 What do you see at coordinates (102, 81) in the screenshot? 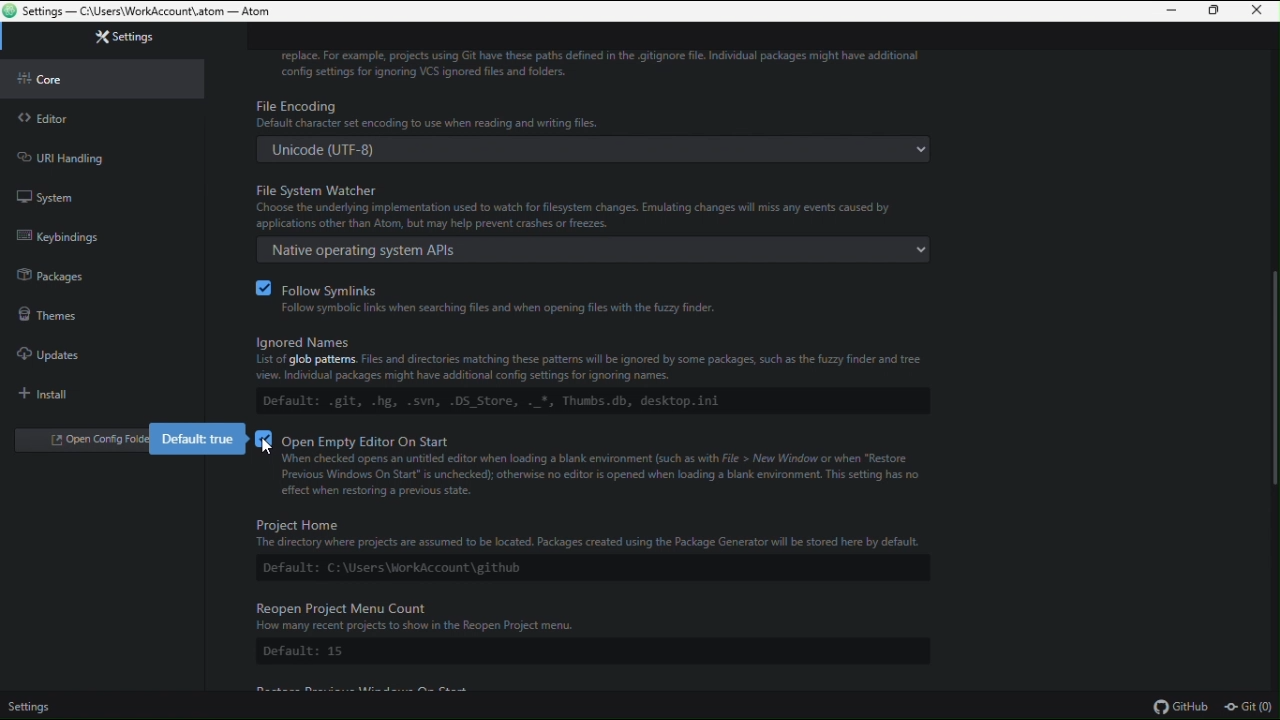
I see `core` at bounding box center [102, 81].